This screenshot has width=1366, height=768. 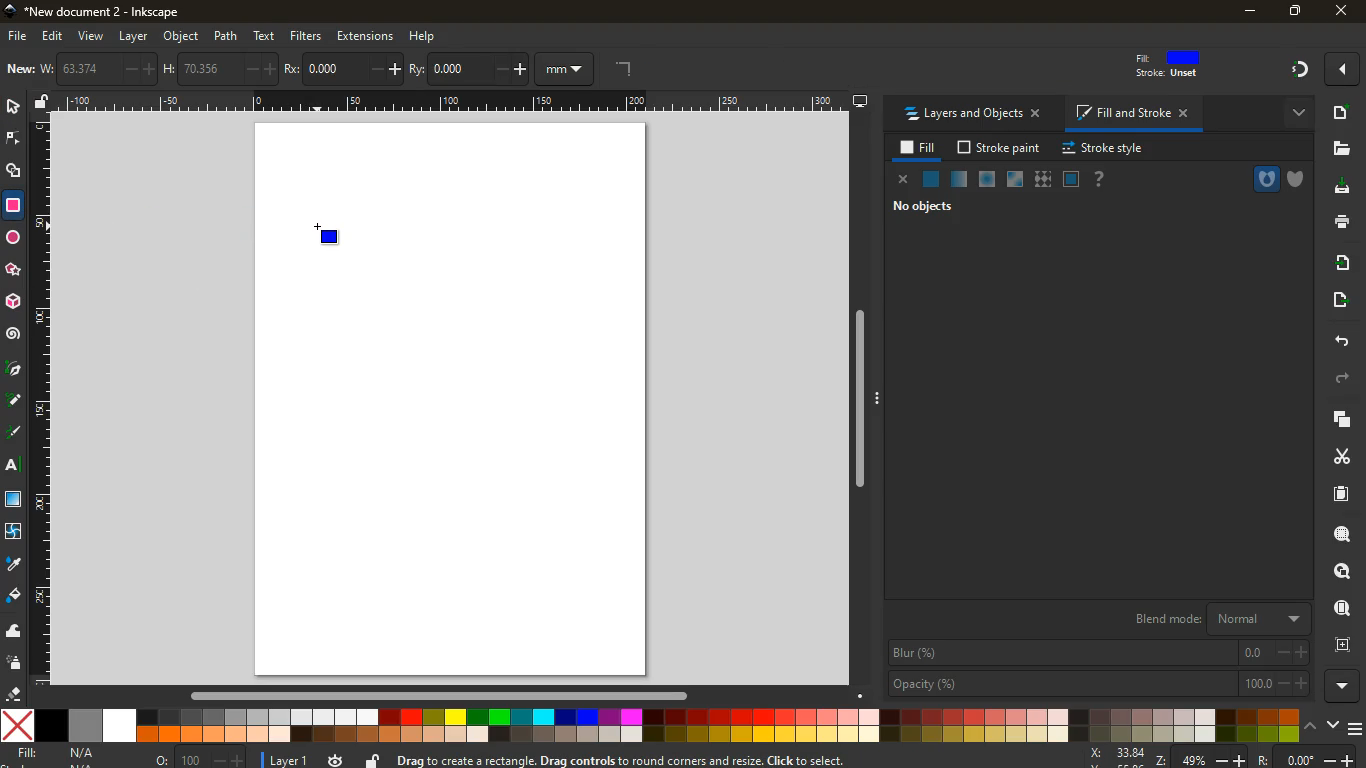 What do you see at coordinates (469, 69) in the screenshot?
I see `ry` at bounding box center [469, 69].